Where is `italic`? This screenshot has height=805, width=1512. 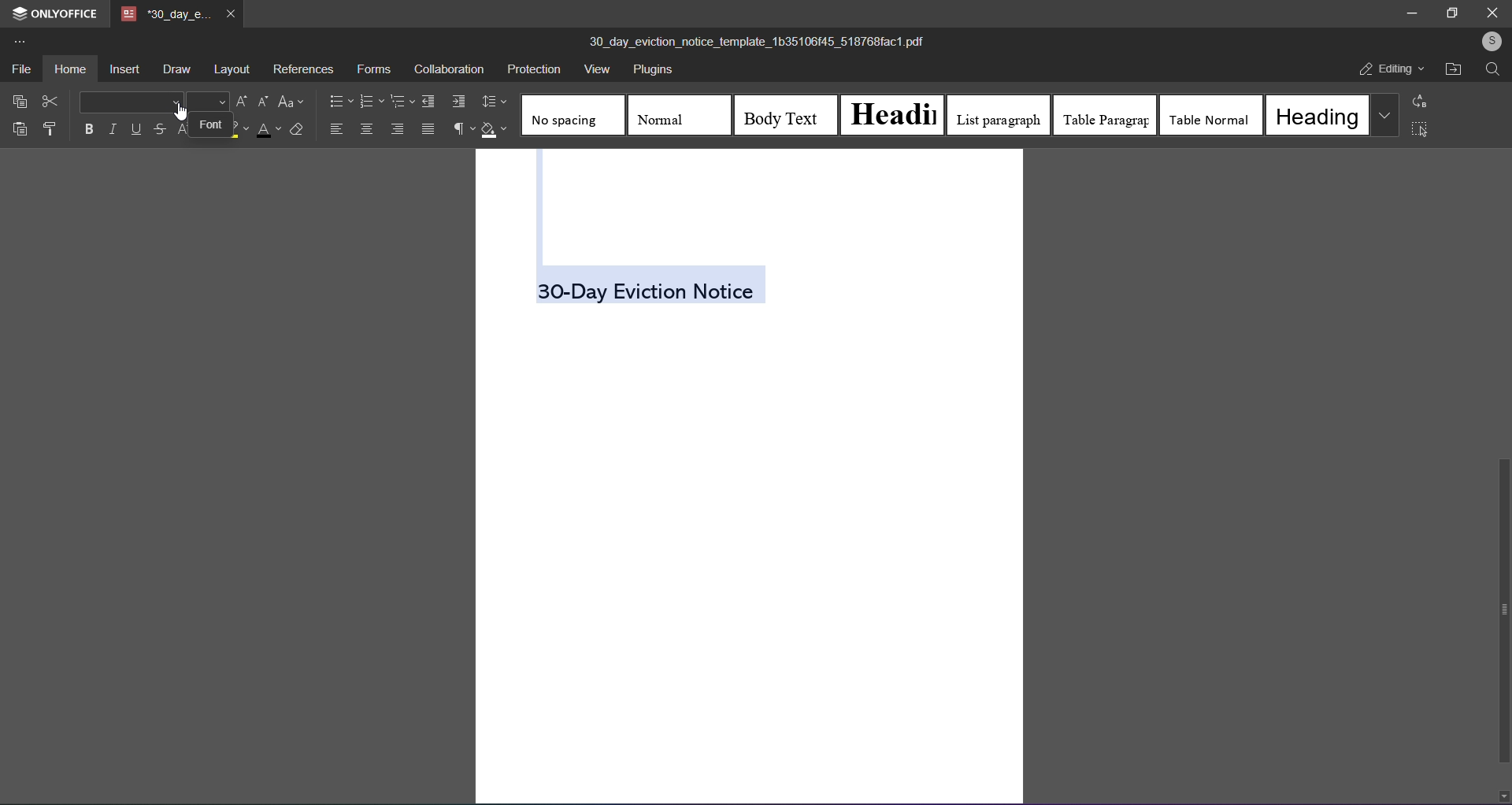
italic is located at coordinates (111, 128).